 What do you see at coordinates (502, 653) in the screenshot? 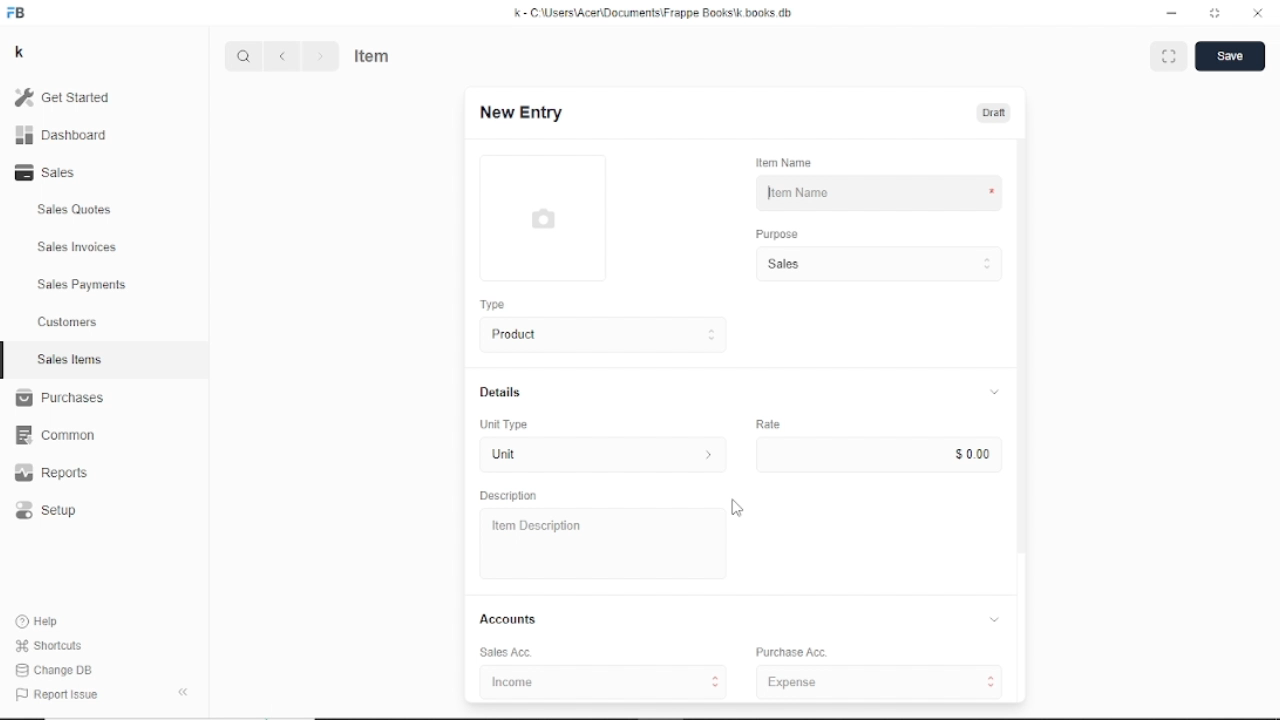
I see `Sales Acc.` at bounding box center [502, 653].